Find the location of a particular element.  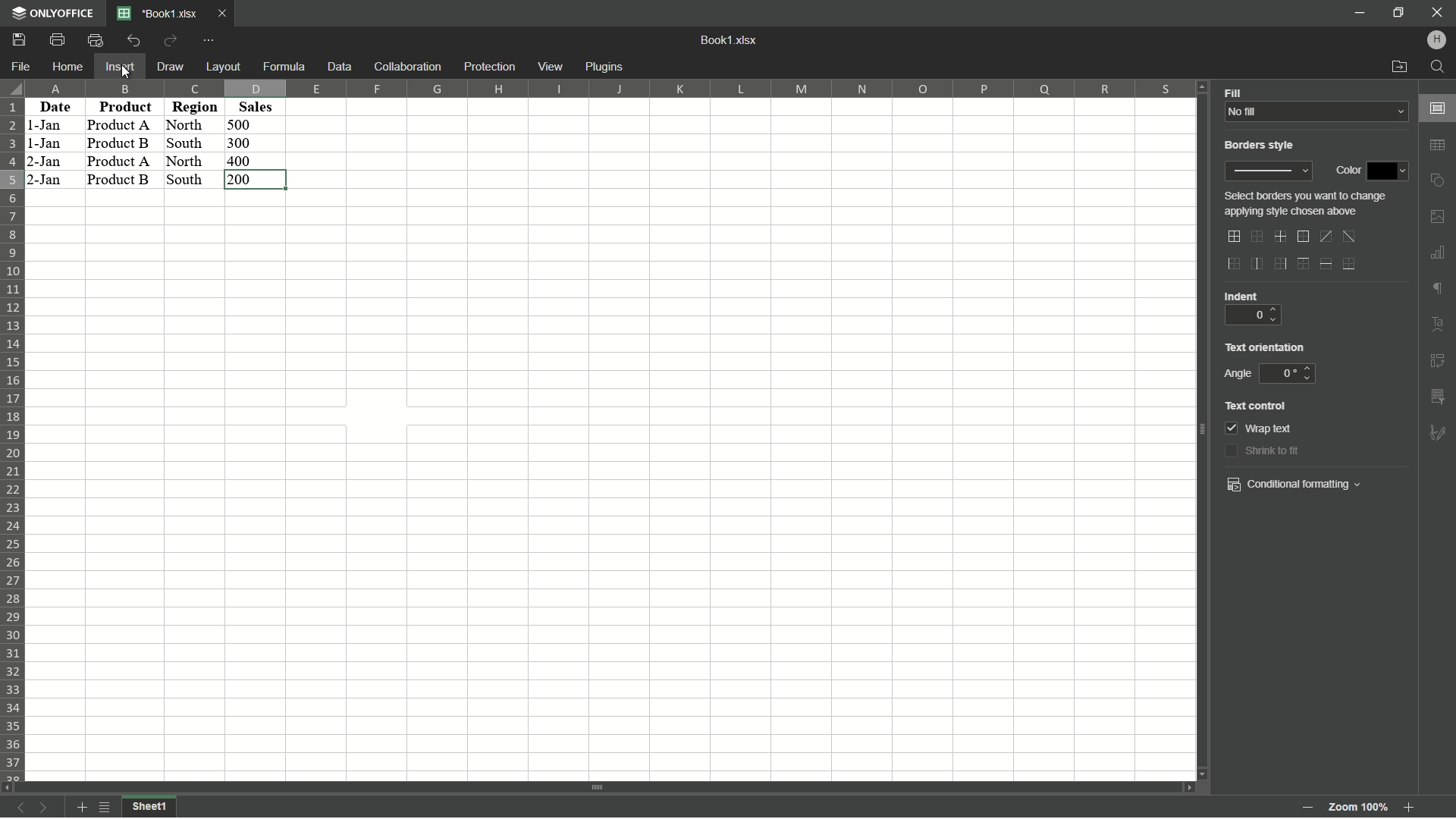

scroll left is located at coordinates (9, 786).